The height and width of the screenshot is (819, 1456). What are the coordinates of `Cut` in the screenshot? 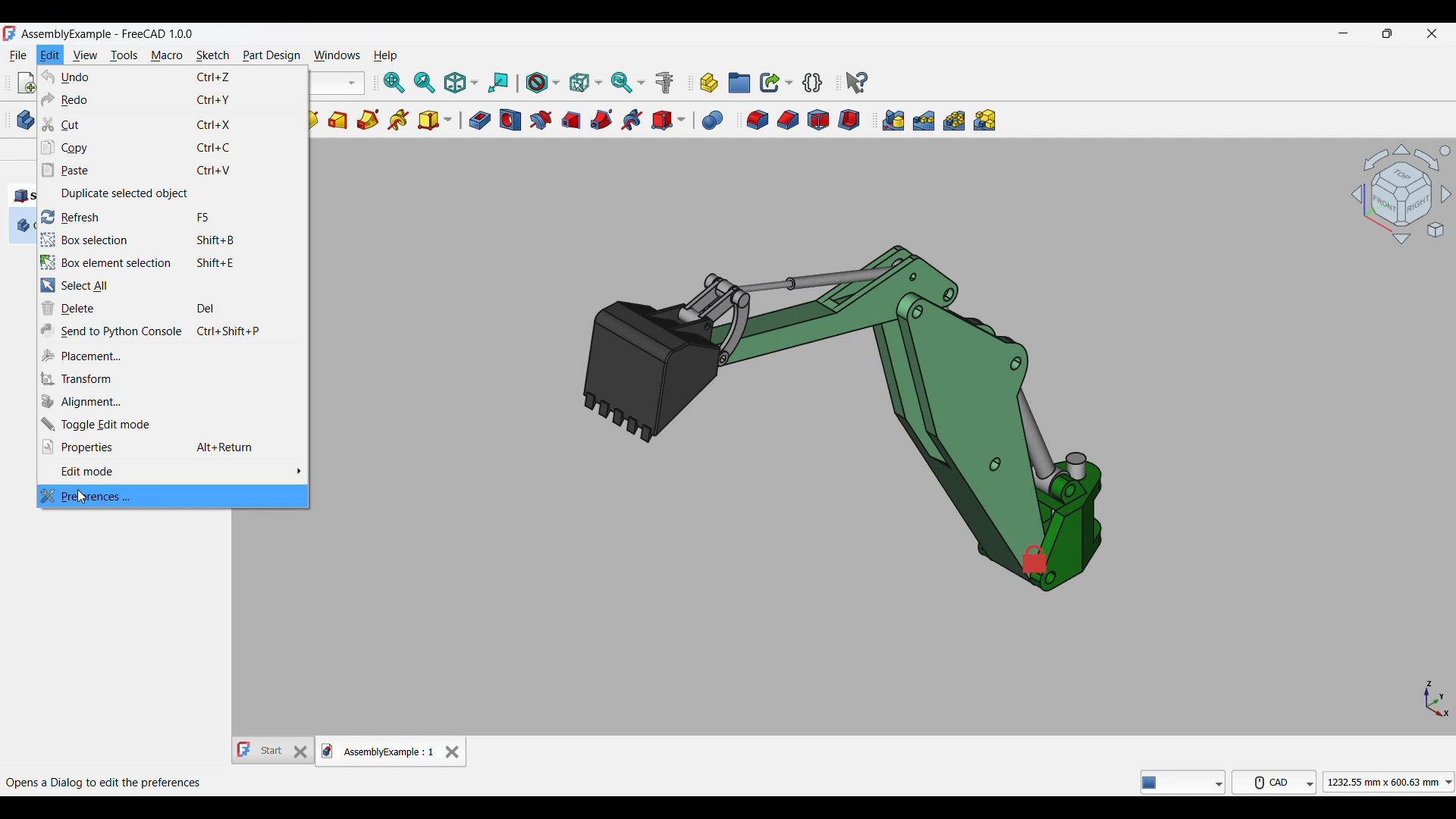 It's located at (171, 125).